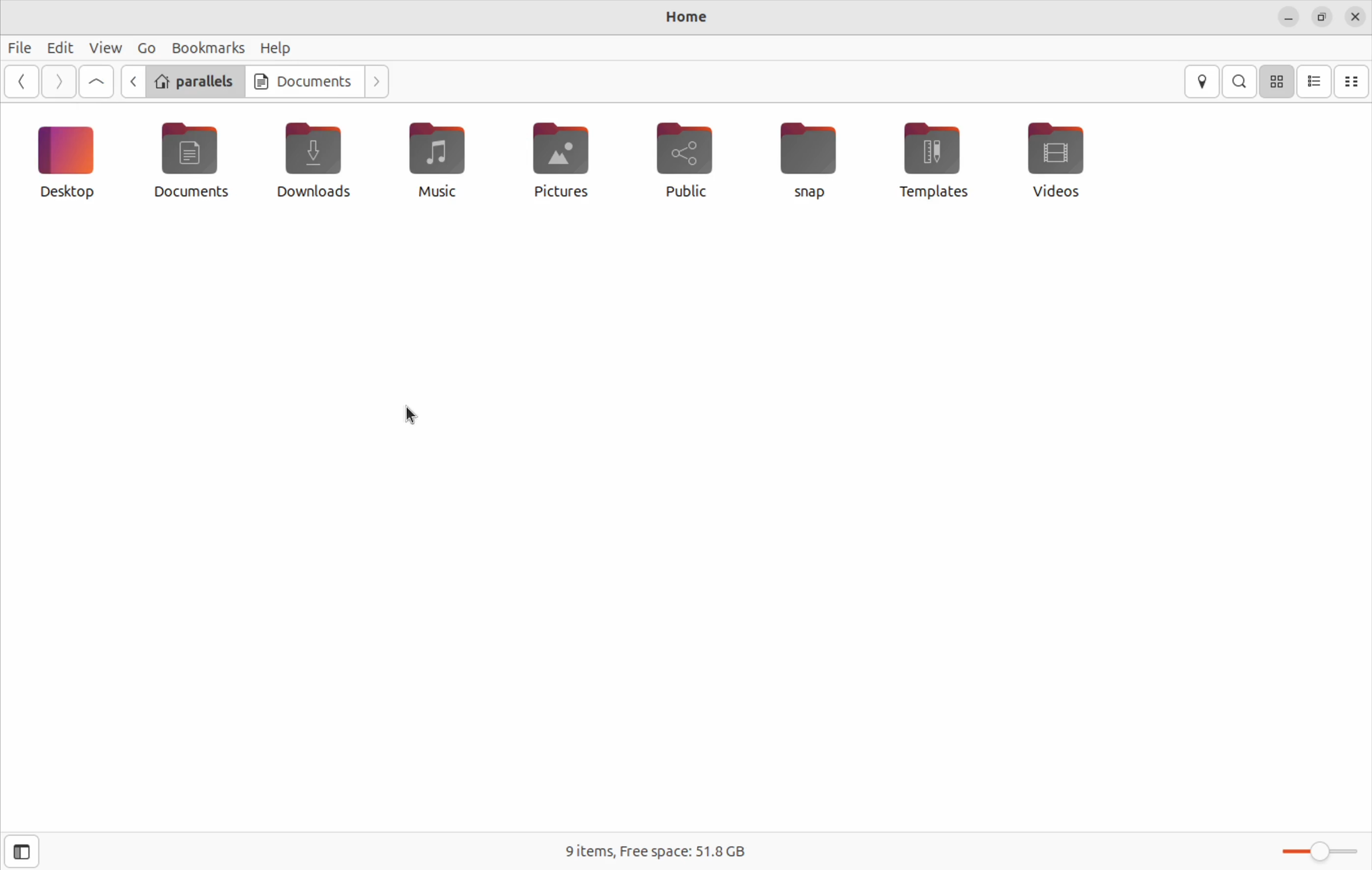 The image size is (1372, 870). Describe the element at coordinates (1314, 83) in the screenshot. I see `list view` at that location.